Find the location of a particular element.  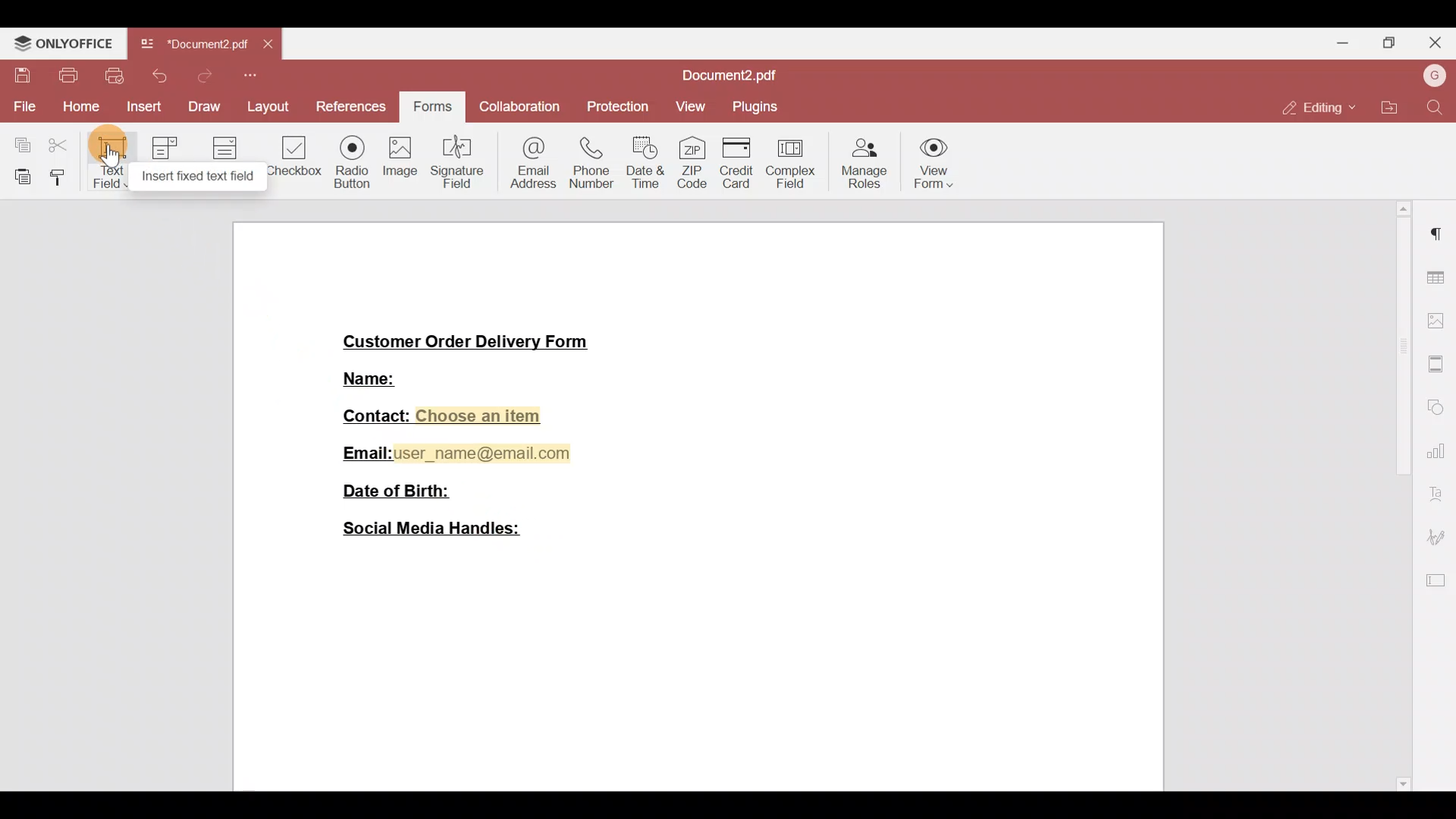

Undo is located at coordinates (162, 76).